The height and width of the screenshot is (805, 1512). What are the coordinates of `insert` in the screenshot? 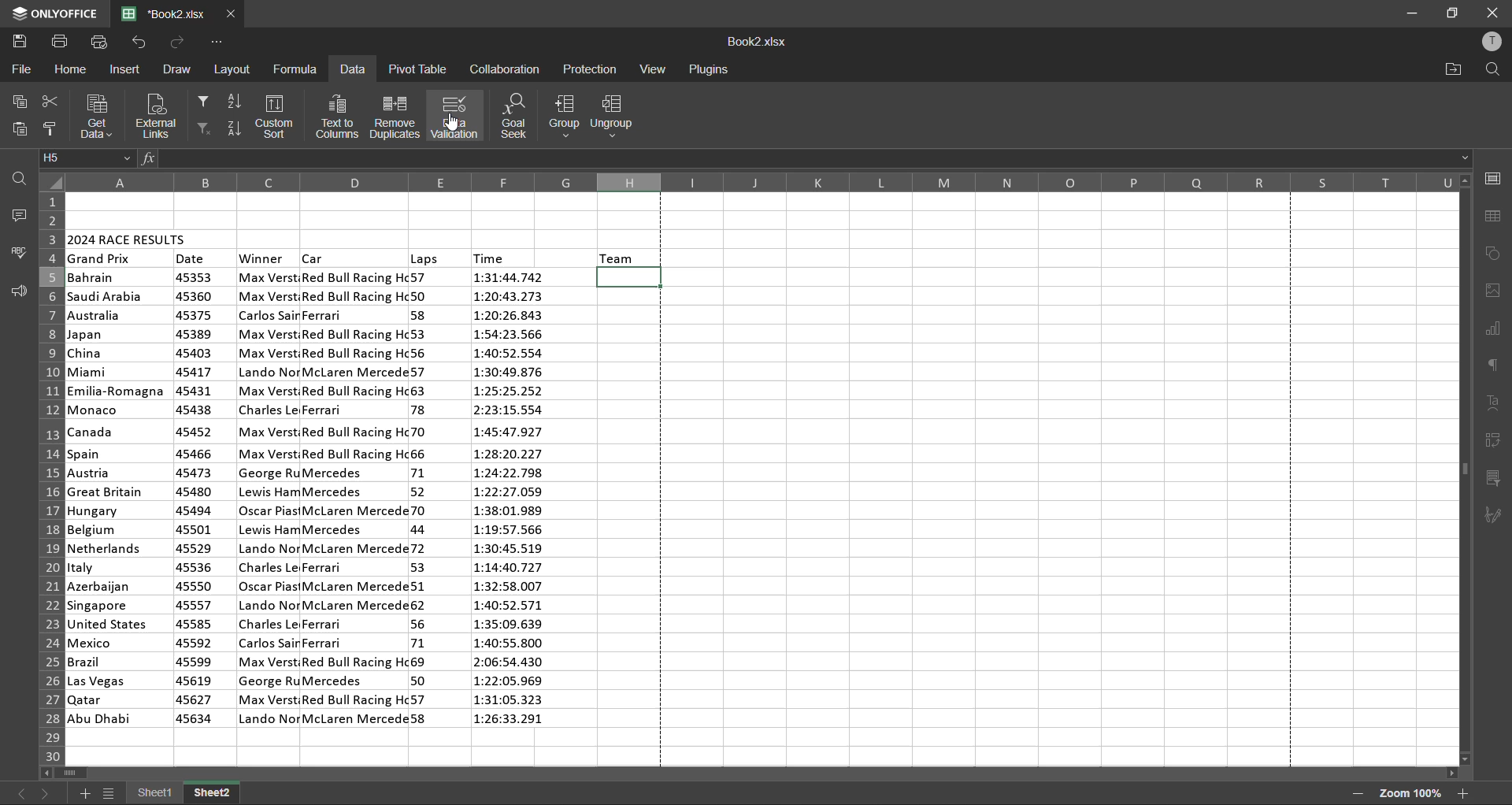 It's located at (128, 69).